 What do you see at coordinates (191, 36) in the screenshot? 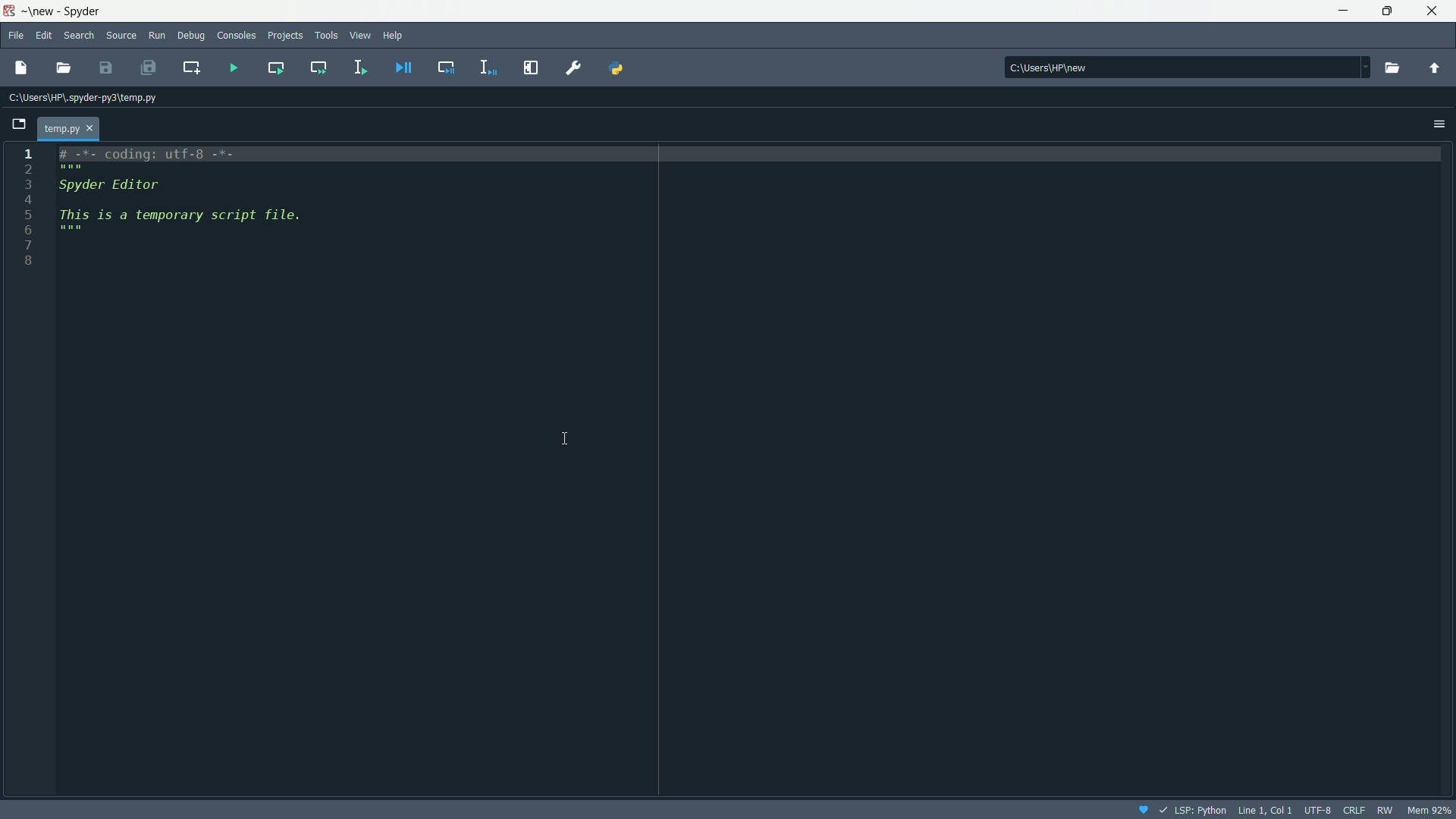
I see `Debug` at bounding box center [191, 36].